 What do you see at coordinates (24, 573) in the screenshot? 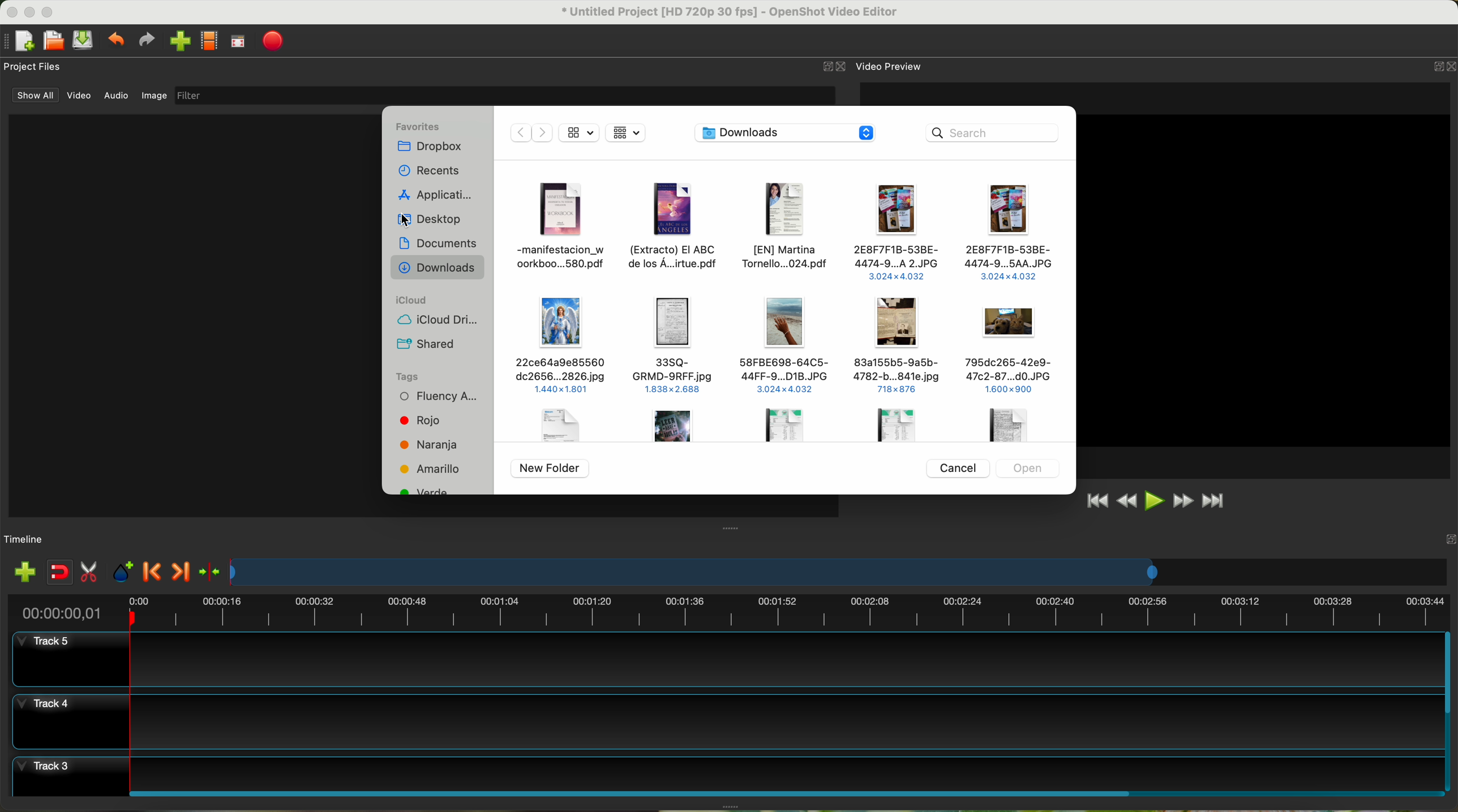
I see `import files` at bounding box center [24, 573].